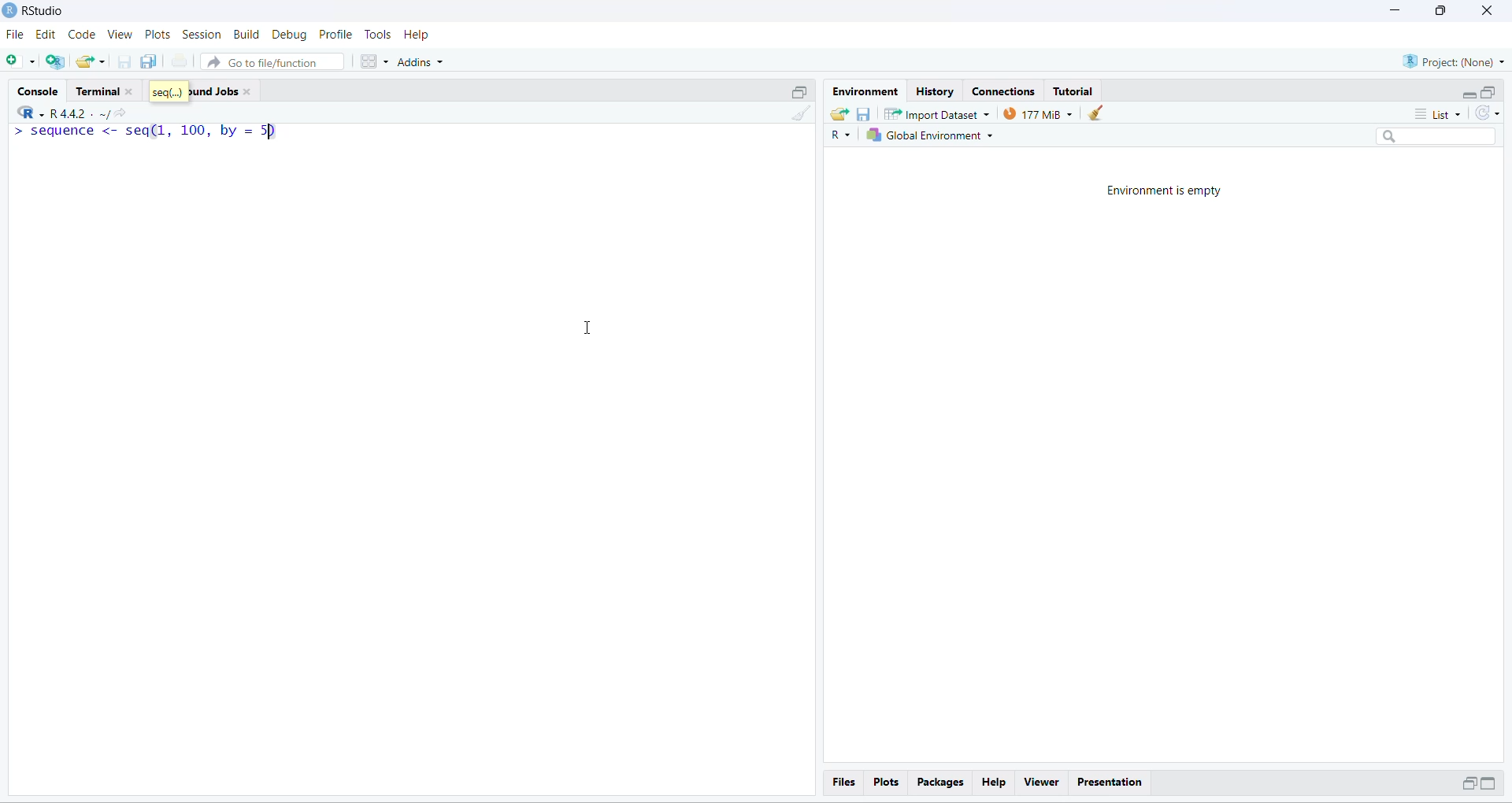 The image size is (1512, 803). Describe the element at coordinates (247, 35) in the screenshot. I see `build` at that location.